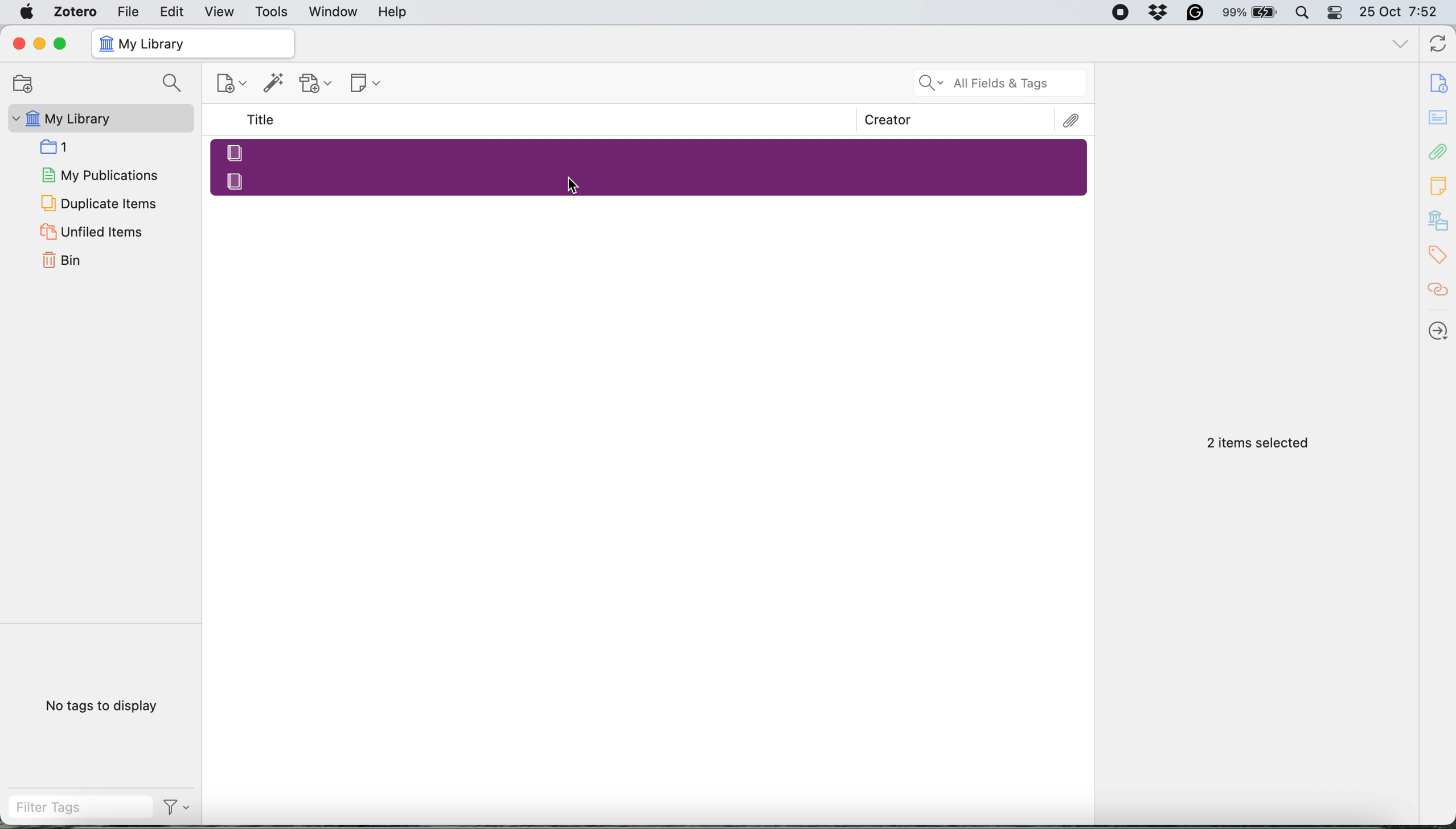 The height and width of the screenshot is (829, 1456). Describe the element at coordinates (1439, 221) in the screenshot. I see `Library` at that location.